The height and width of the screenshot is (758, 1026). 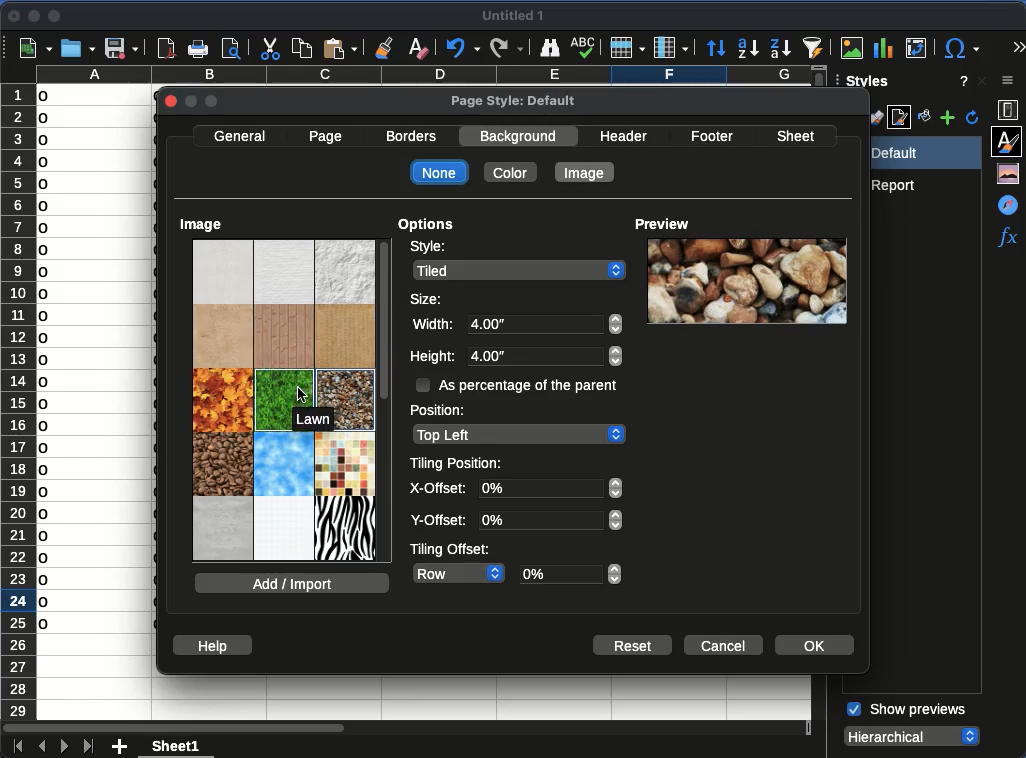 I want to click on tiling position, so click(x=458, y=464).